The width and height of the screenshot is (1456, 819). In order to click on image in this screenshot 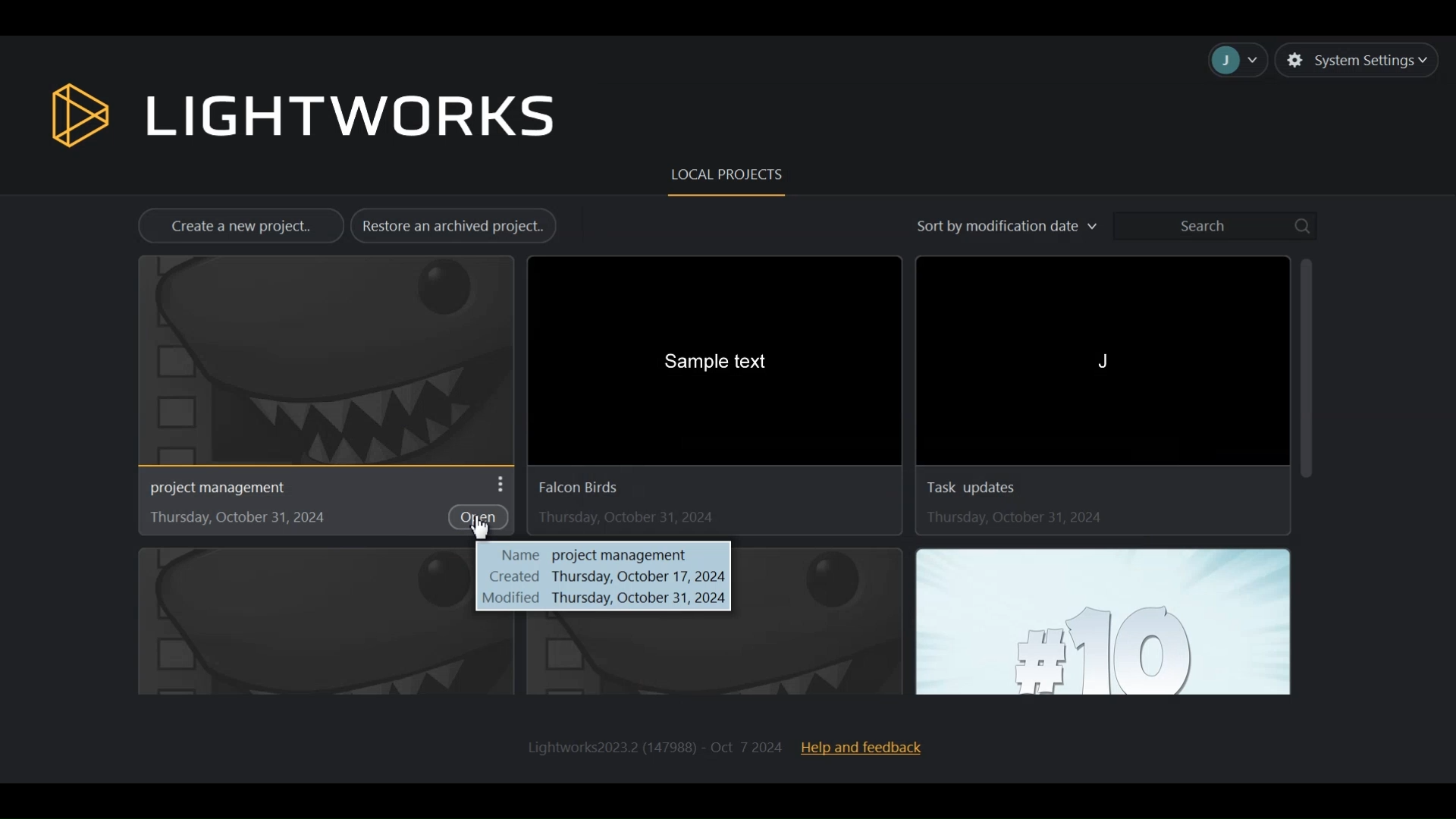, I will do `click(308, 622)`.